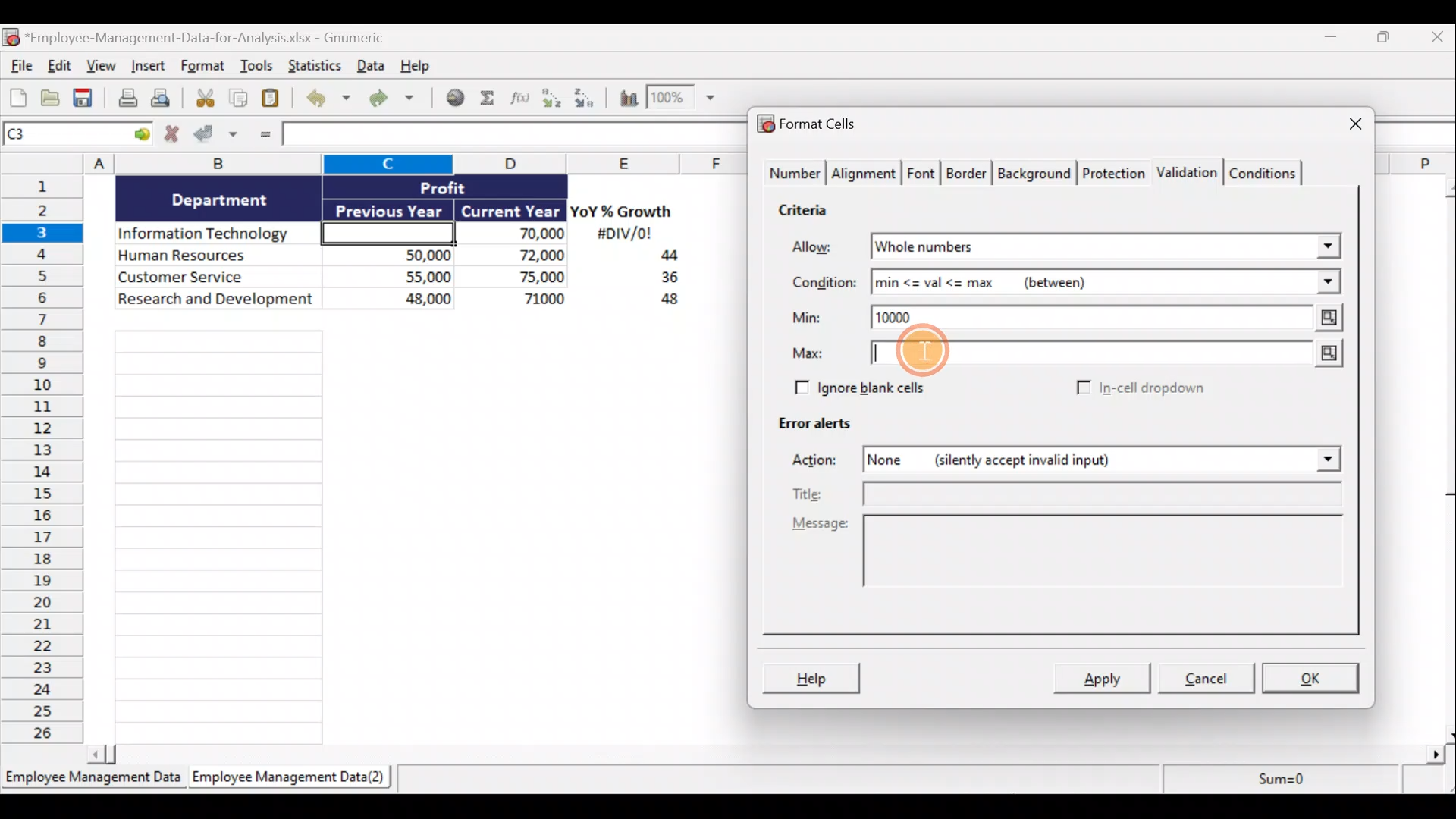  I want to click on Cancel, so click(1212, 680).